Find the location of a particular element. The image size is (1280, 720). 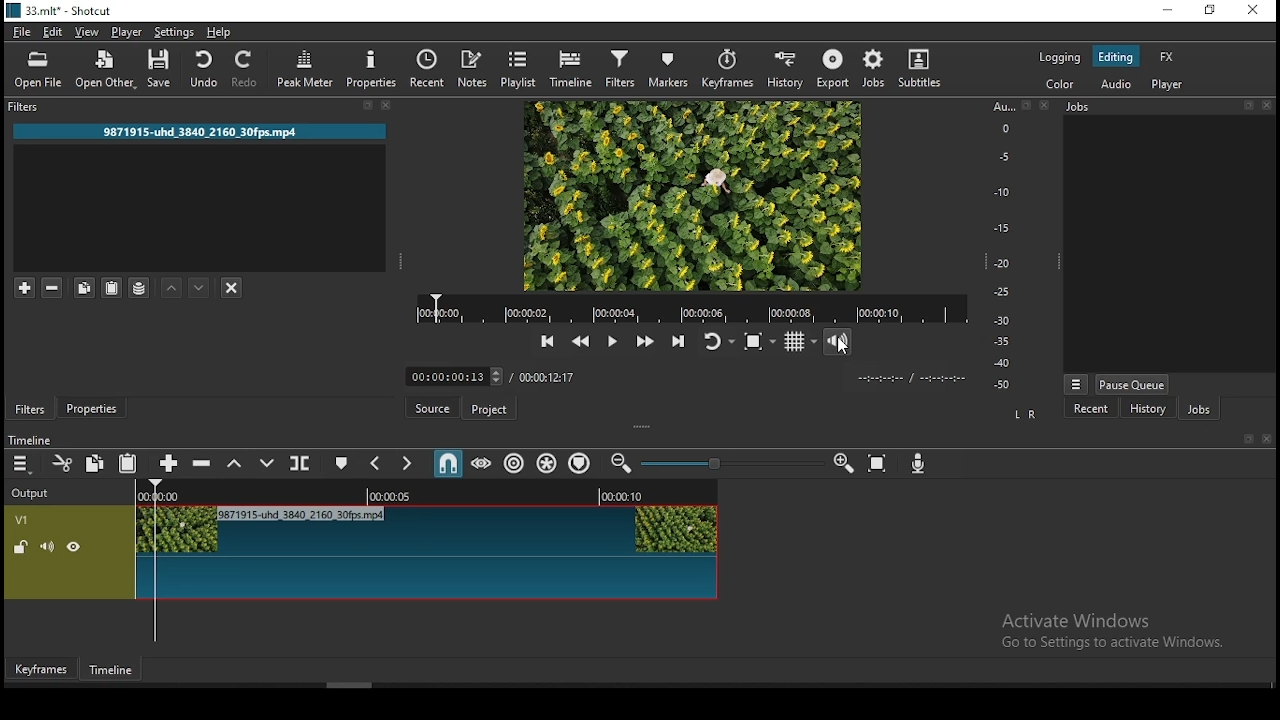

edit is located at coordinates (56, 31).